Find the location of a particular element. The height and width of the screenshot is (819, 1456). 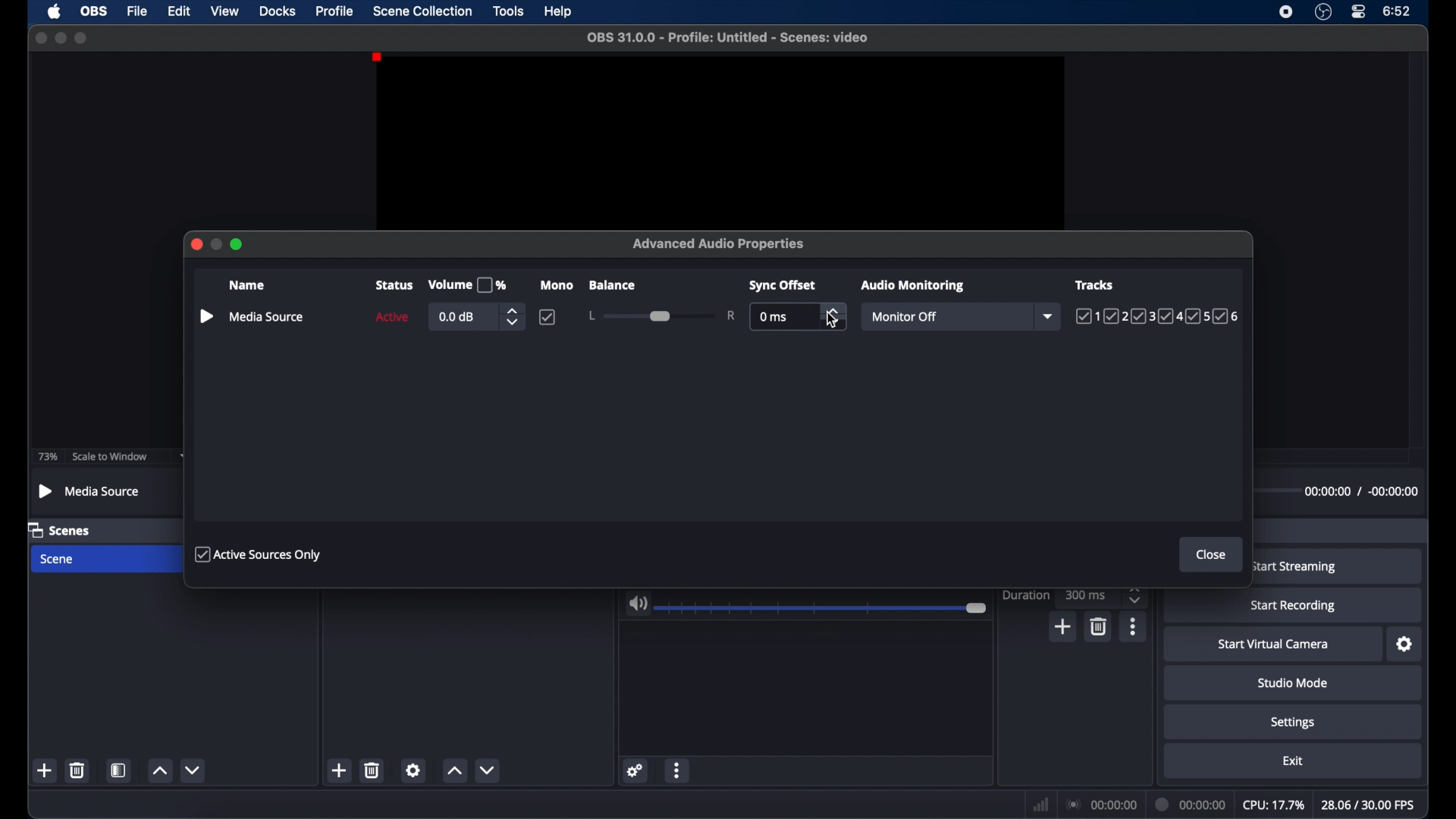

settings is located at coordinates (413, 770).